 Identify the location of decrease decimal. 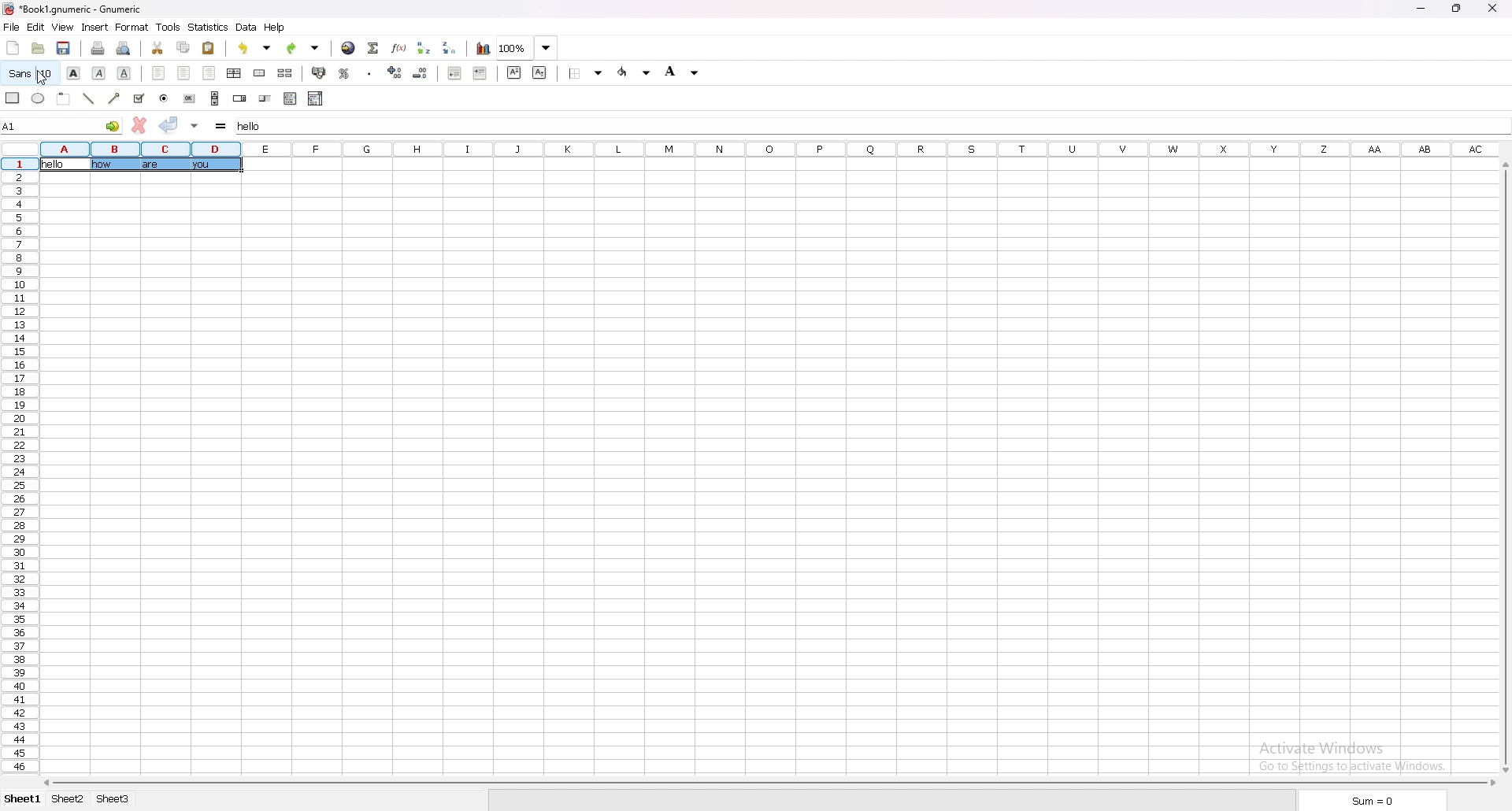
(421, 73).